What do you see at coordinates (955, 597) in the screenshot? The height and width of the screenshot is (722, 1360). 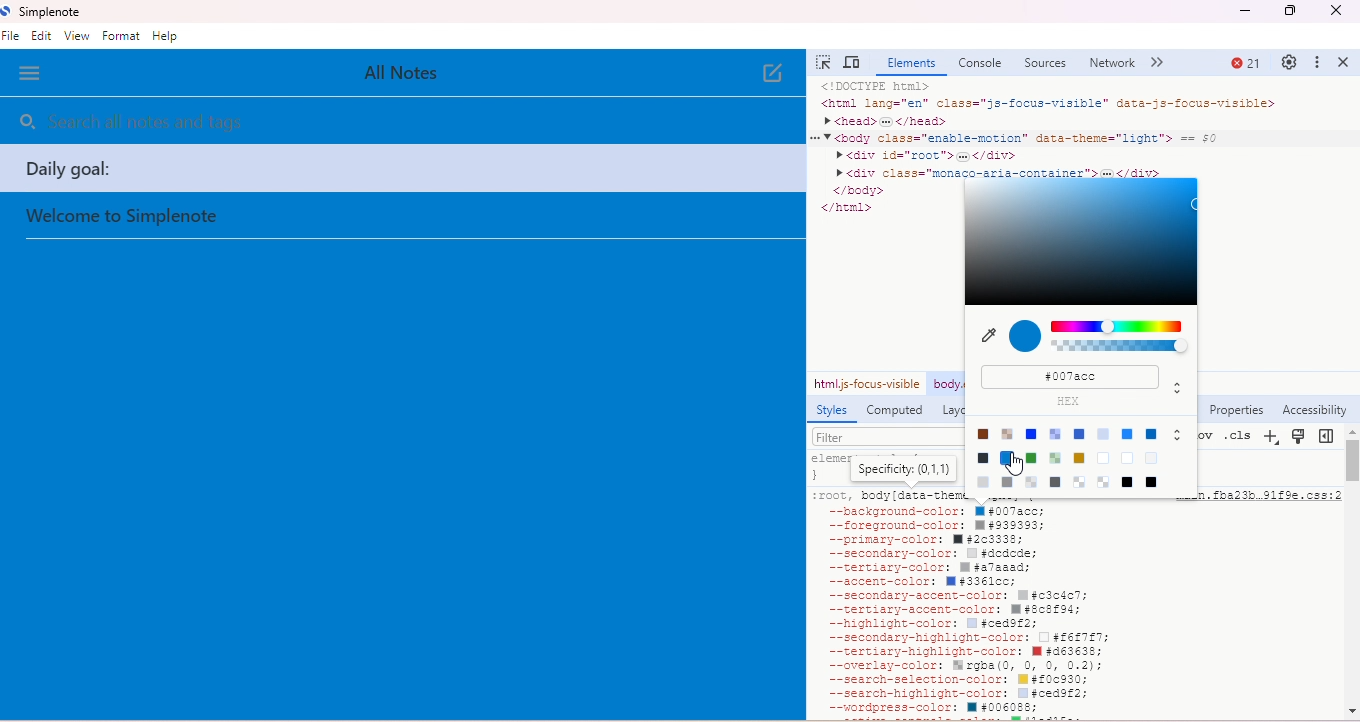 I see `secondary-accent-color` at bounding box center [955, 597].